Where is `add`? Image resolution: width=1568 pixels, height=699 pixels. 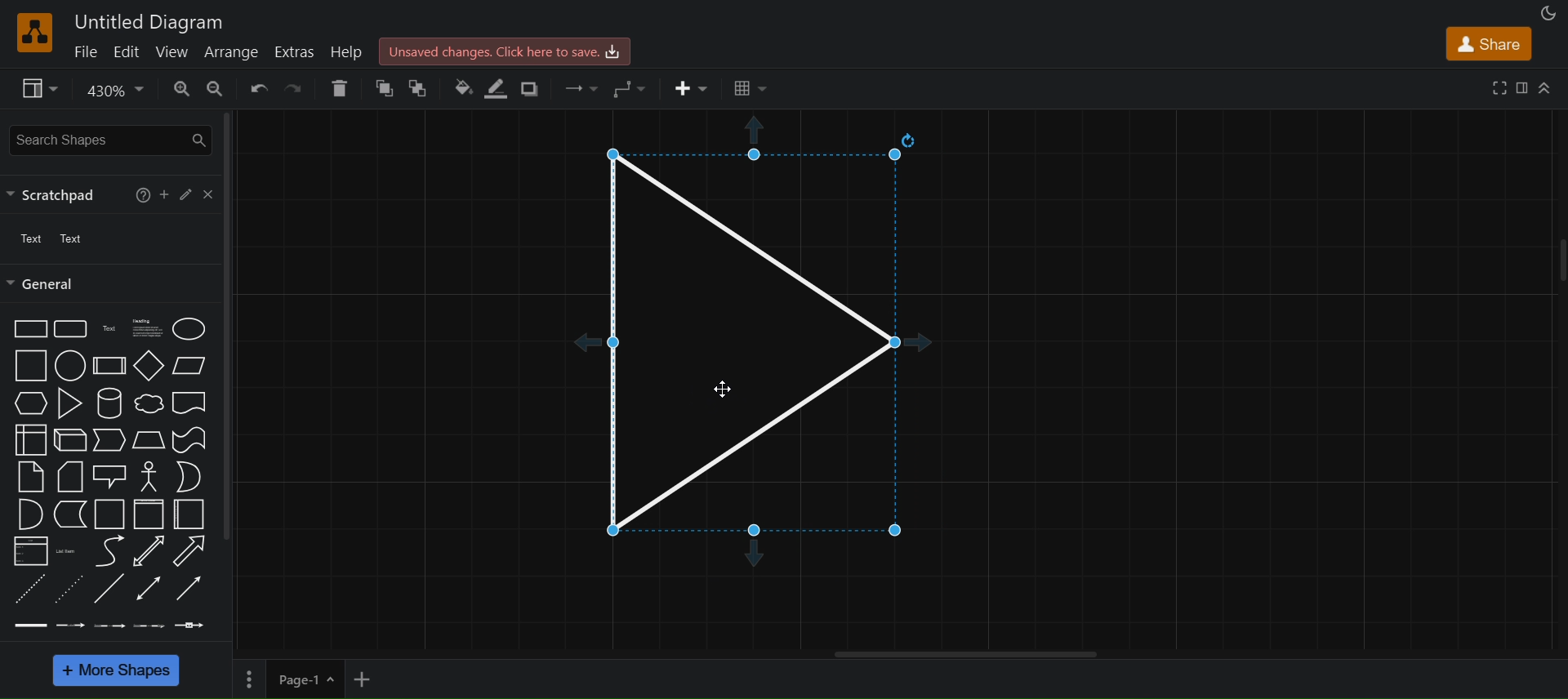
add is located at coordinates (165, 192).